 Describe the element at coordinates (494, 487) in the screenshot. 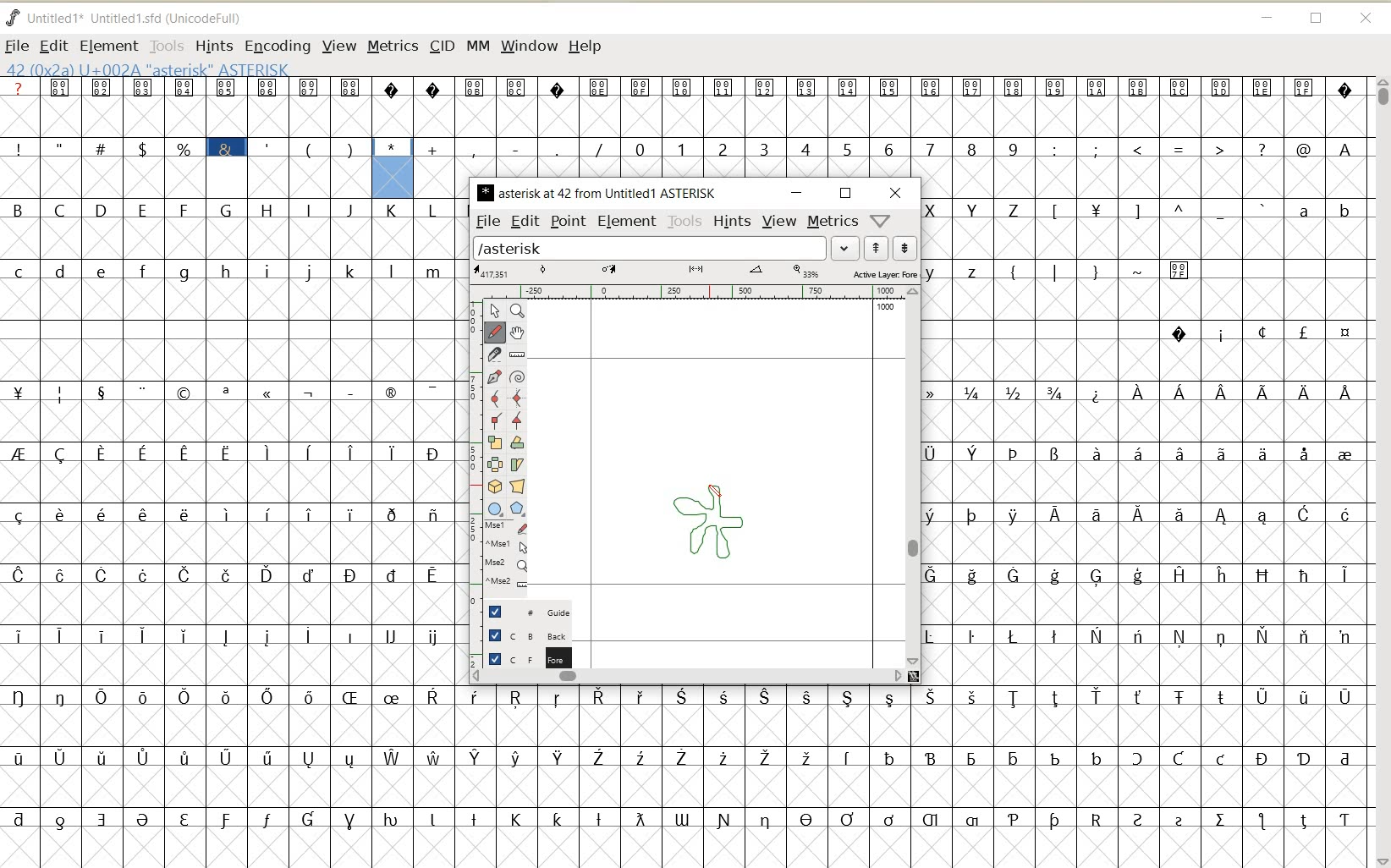

I see `rotate the selection in 3d and project back to plane` at that location.